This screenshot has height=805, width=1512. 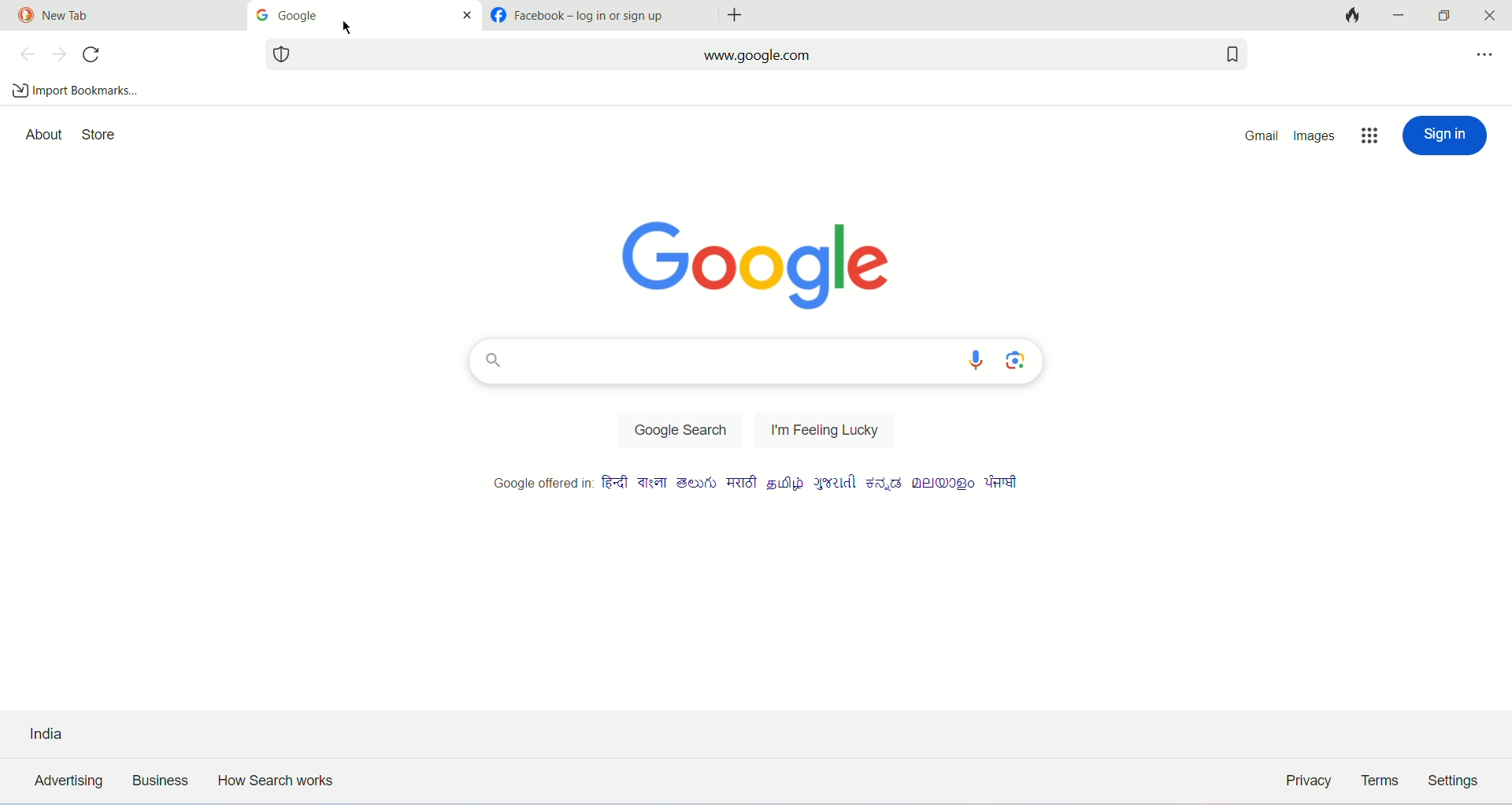 What do you see at coordinates (1315, 135) in the screenshot?
I see `images` at bounding box center [1315, 135].